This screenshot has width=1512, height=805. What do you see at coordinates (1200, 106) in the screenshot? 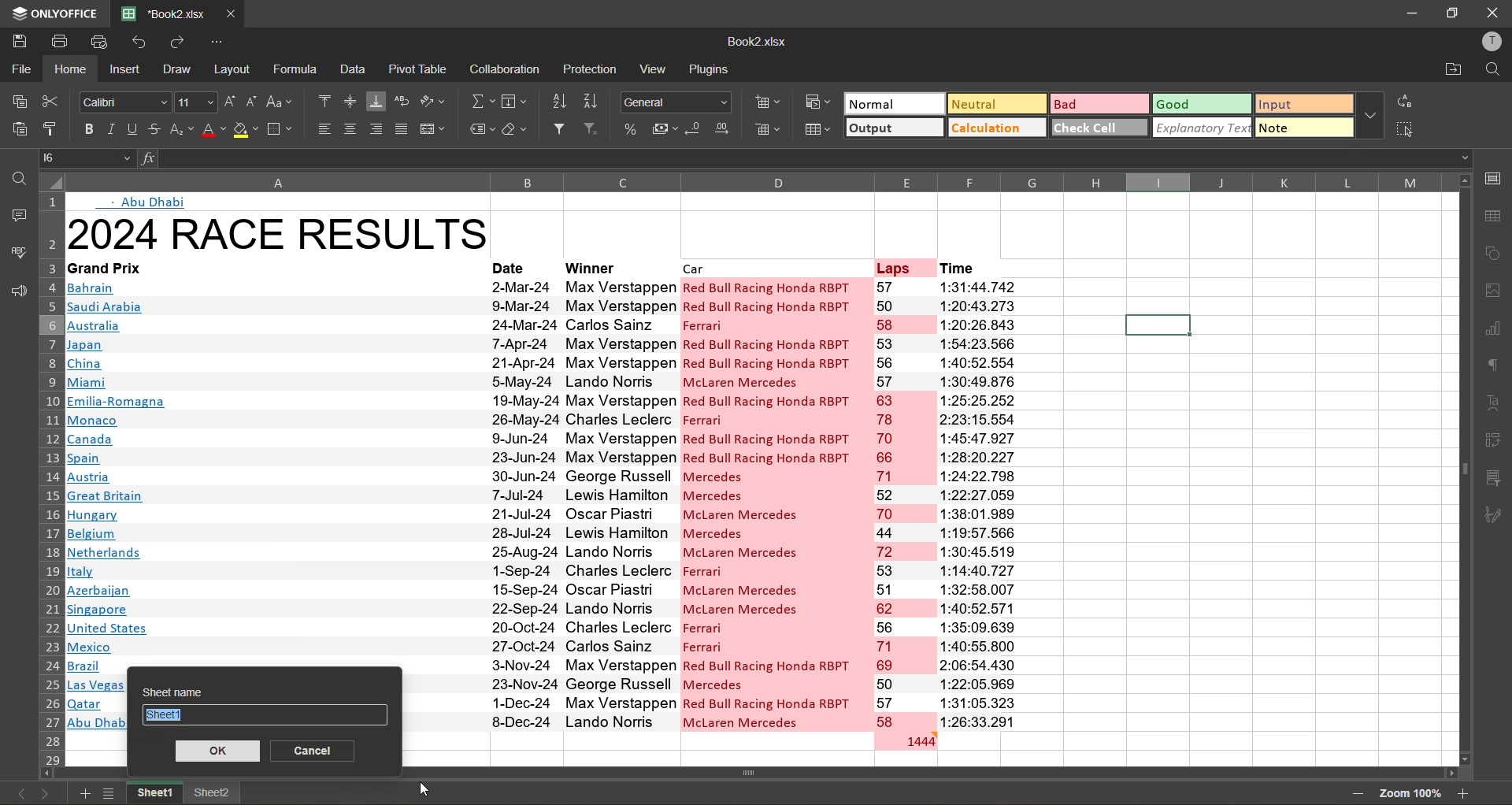
I see `good` at bounding box center [1200, 106].